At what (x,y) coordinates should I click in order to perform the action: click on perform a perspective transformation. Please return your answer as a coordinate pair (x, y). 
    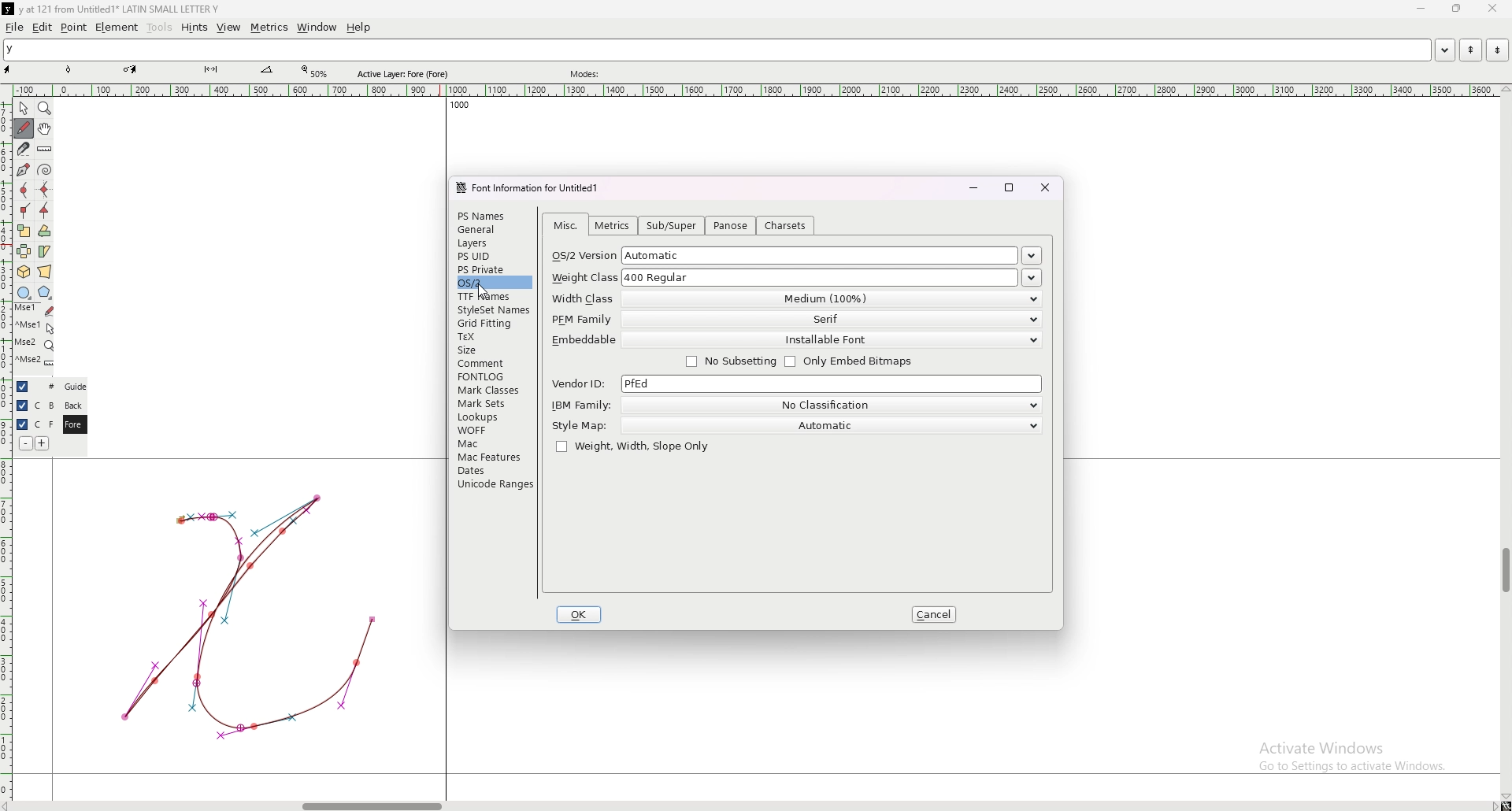
    Looking at the image, I should click on (45, 272).